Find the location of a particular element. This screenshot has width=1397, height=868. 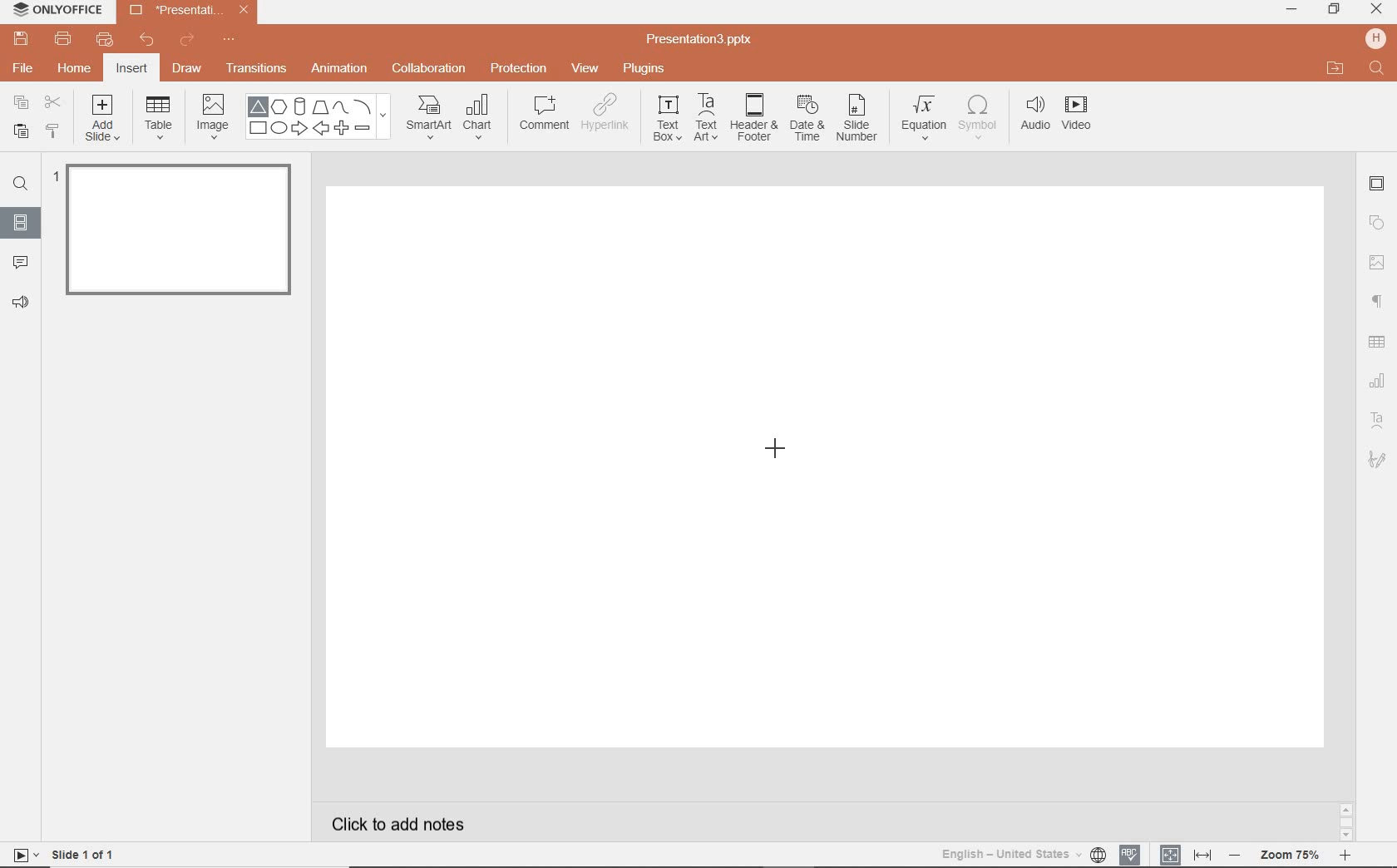

SMARTART is located at coordinates (429, 123).